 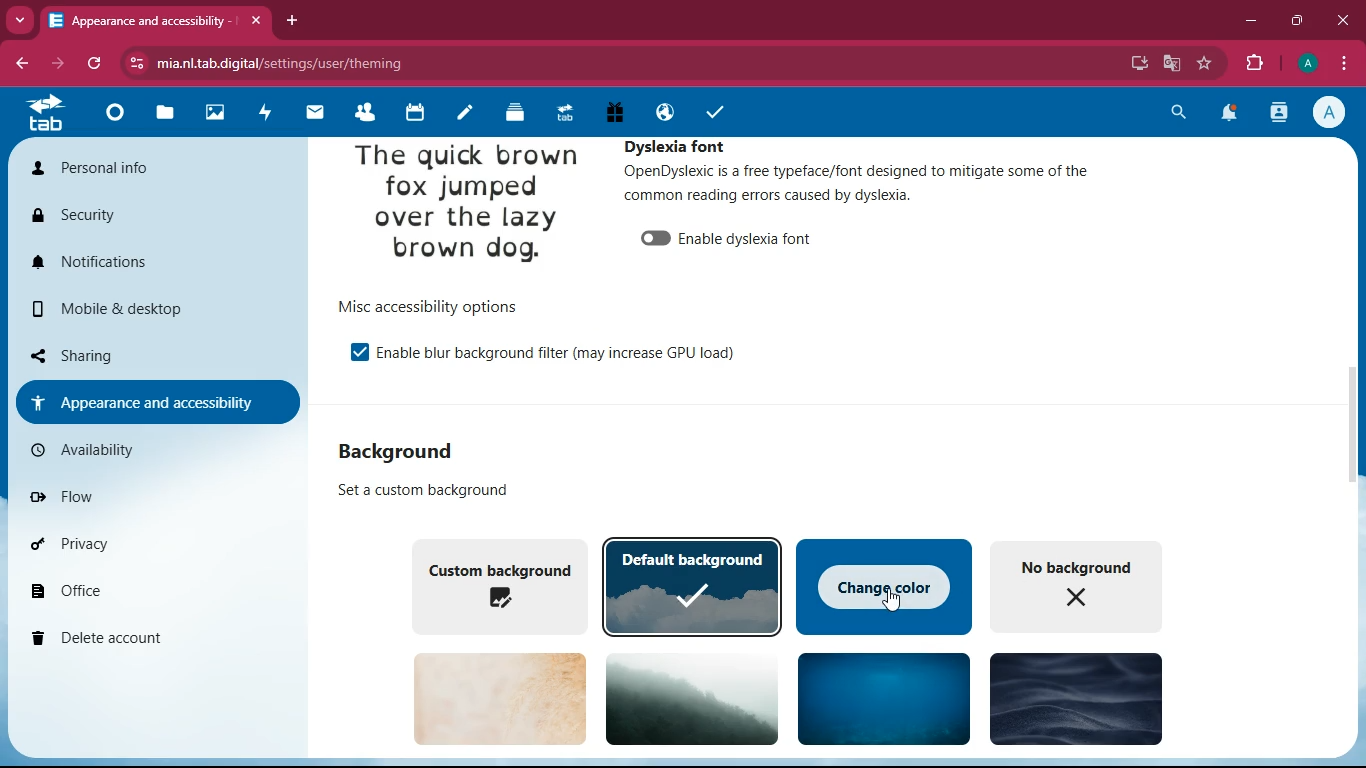 I want to click on appearance and accessibility , so click(x=159, y=21).